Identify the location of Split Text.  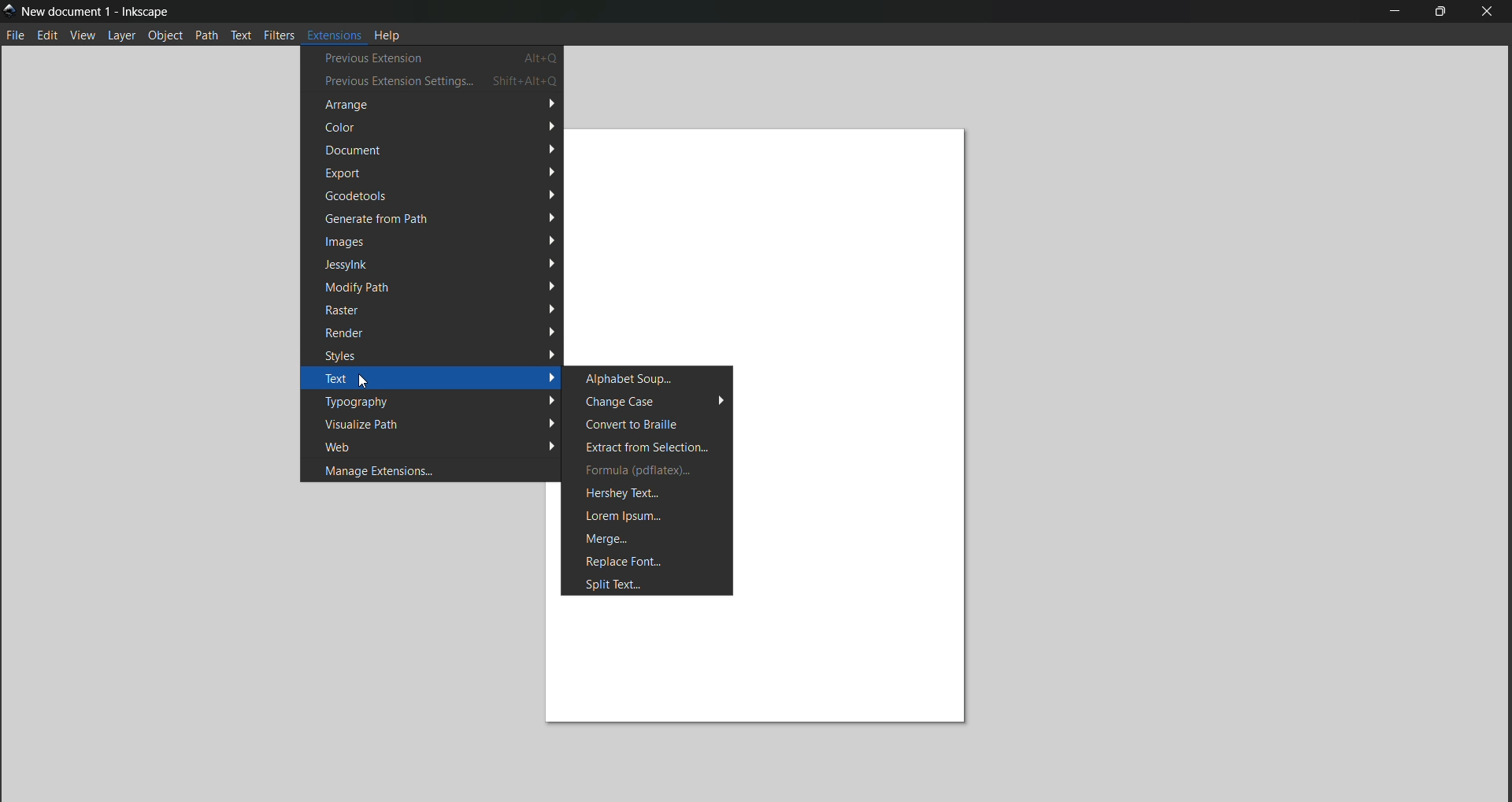
(647, 585).